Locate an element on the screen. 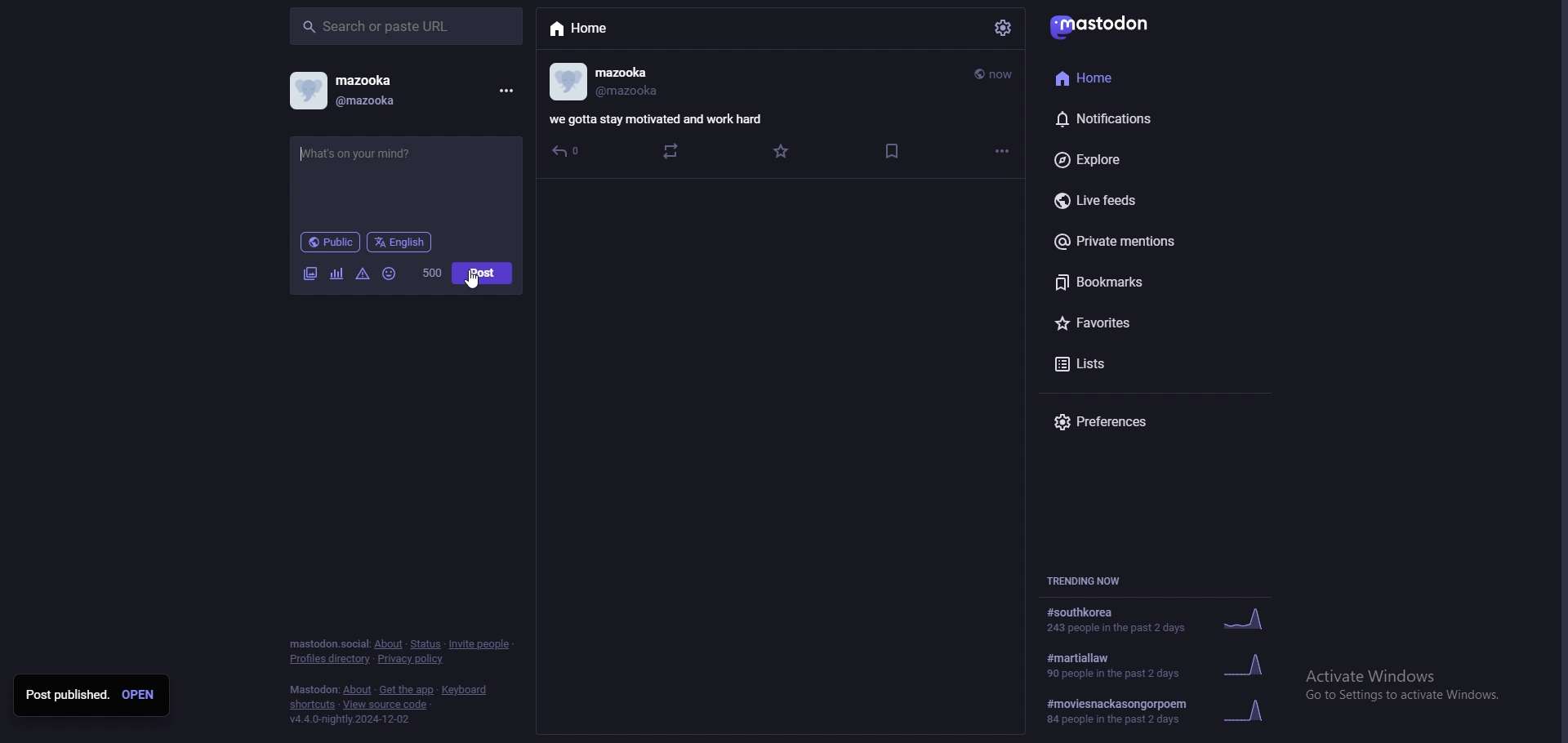 This screenshot has width=1568, height=743. private mentions is located at coordinates (1134, 242).